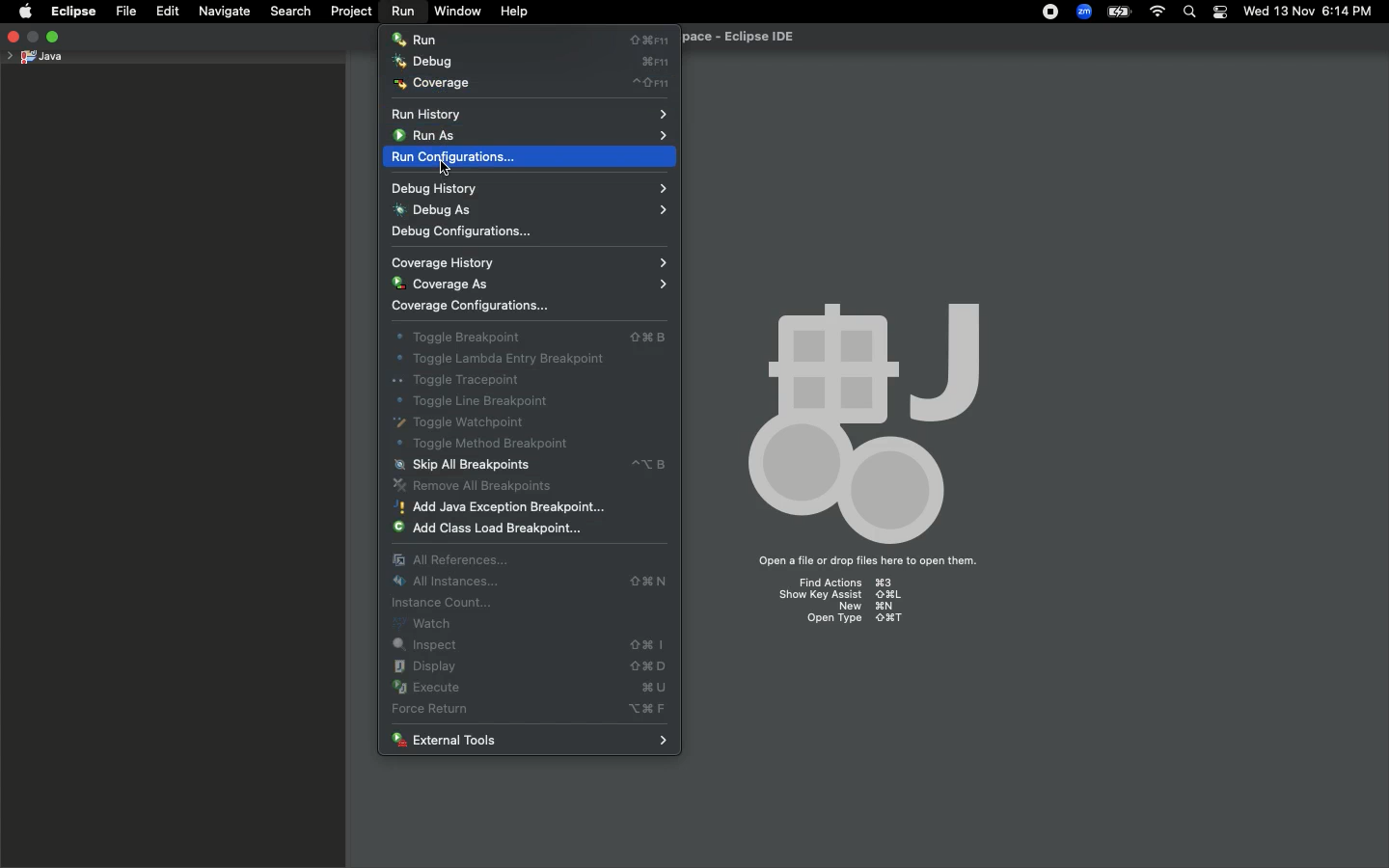  Describe the element at coordinates (348, 14) in the screenshot. I see `Project` at that location.